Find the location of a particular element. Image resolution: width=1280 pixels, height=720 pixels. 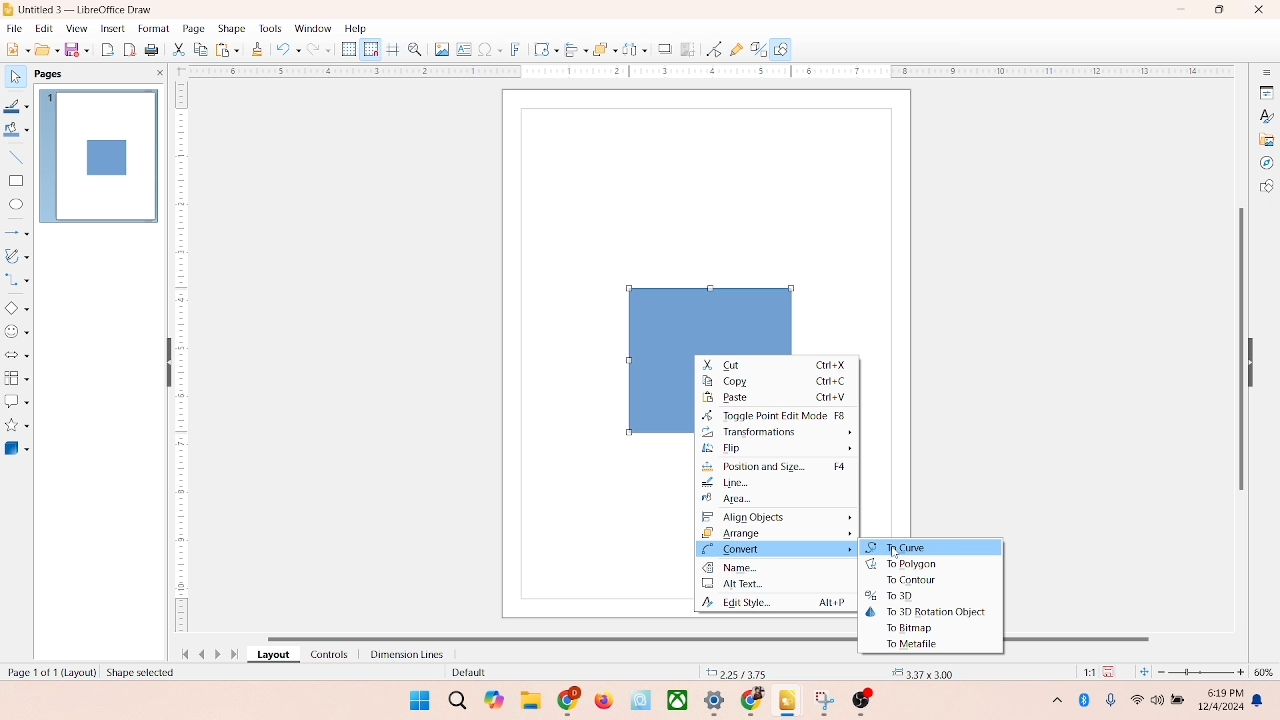

arrange is located at coordinates (779, 531).